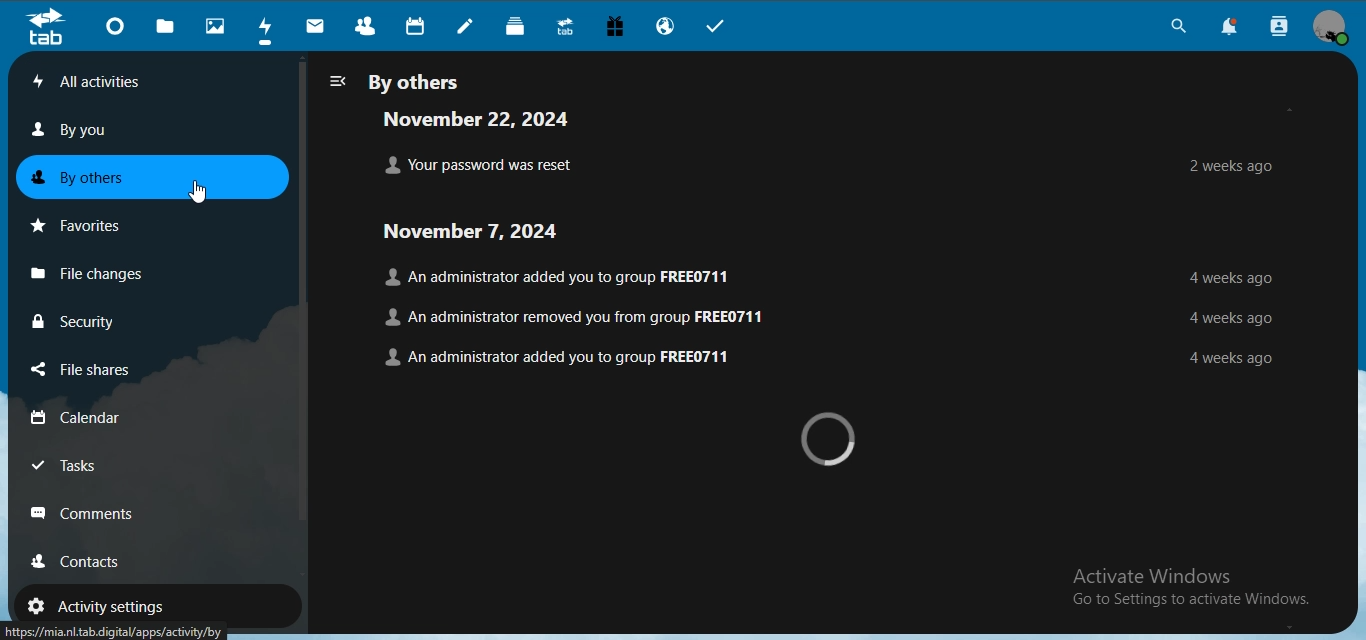 This screenshot has height=640, width=1366. What do you see at coordinates (823, 164) in the screenshot?
I see `Your password was reset 2 weeks ago` at bounding box center [823, 164].